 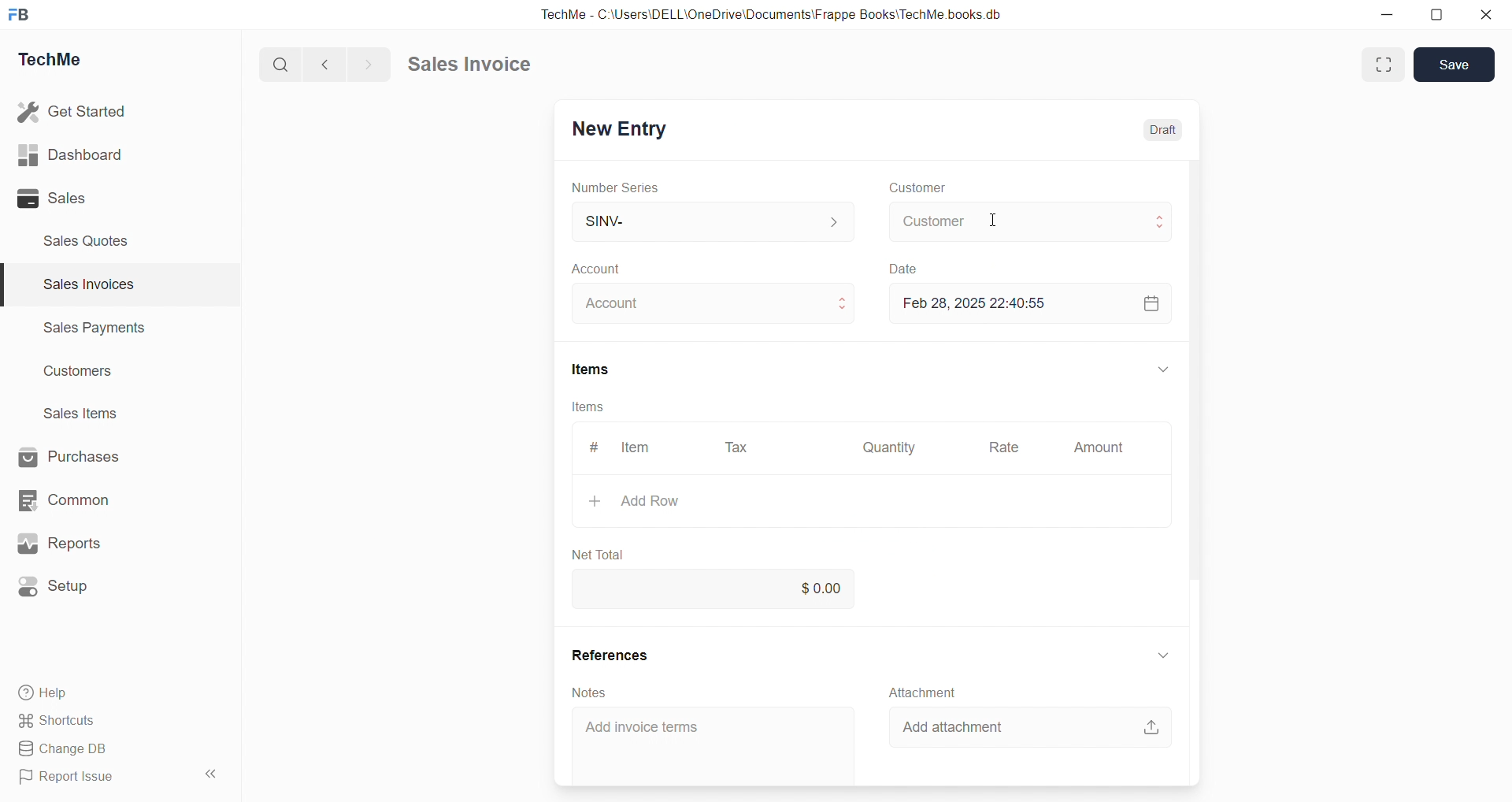 What do you see at coordinates (96, 326) in the screenshot?
I see `Sales Payments` at bounding box center [96, 326].